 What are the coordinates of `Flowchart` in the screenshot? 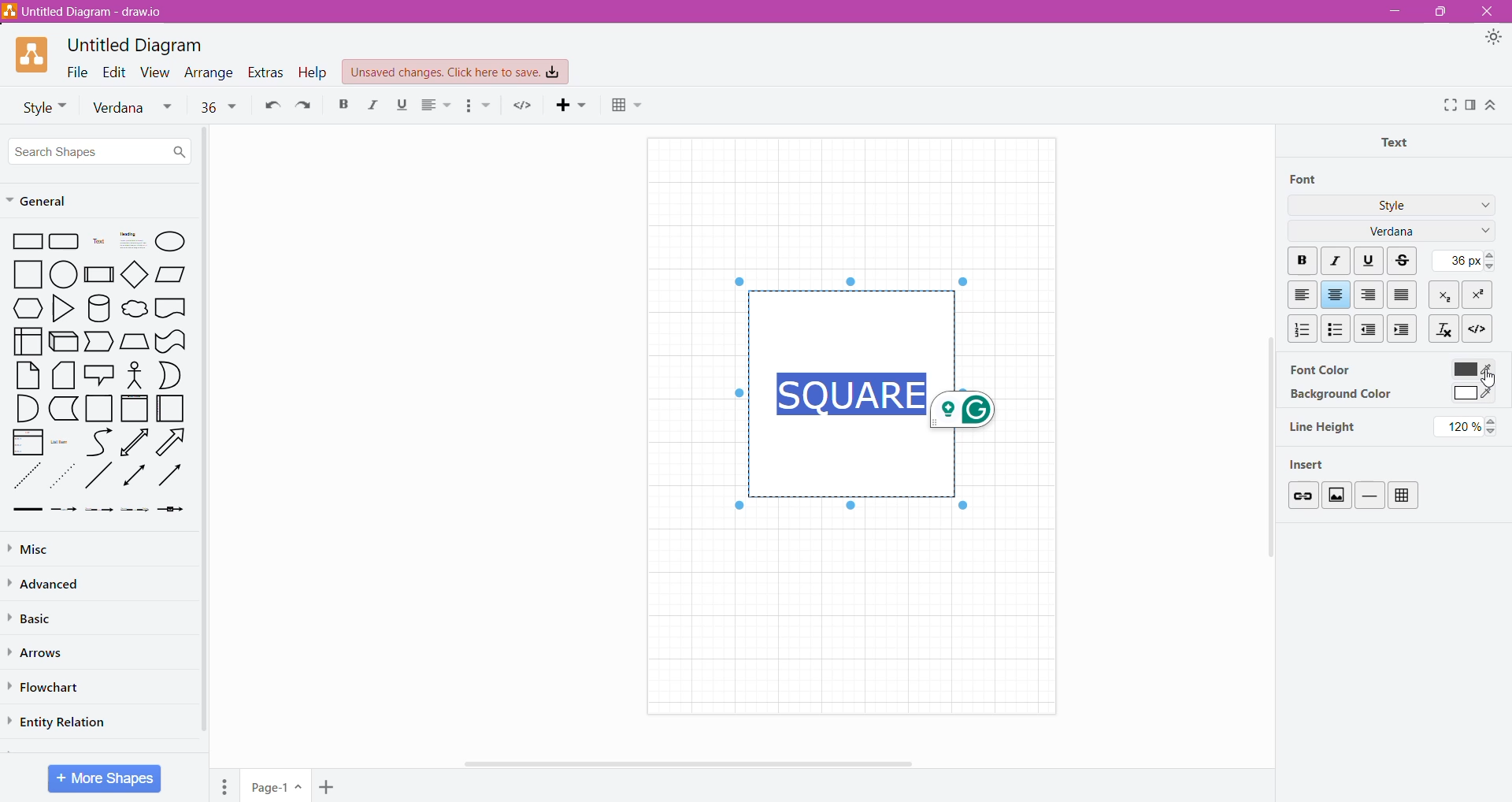 It's located at (48, 688).